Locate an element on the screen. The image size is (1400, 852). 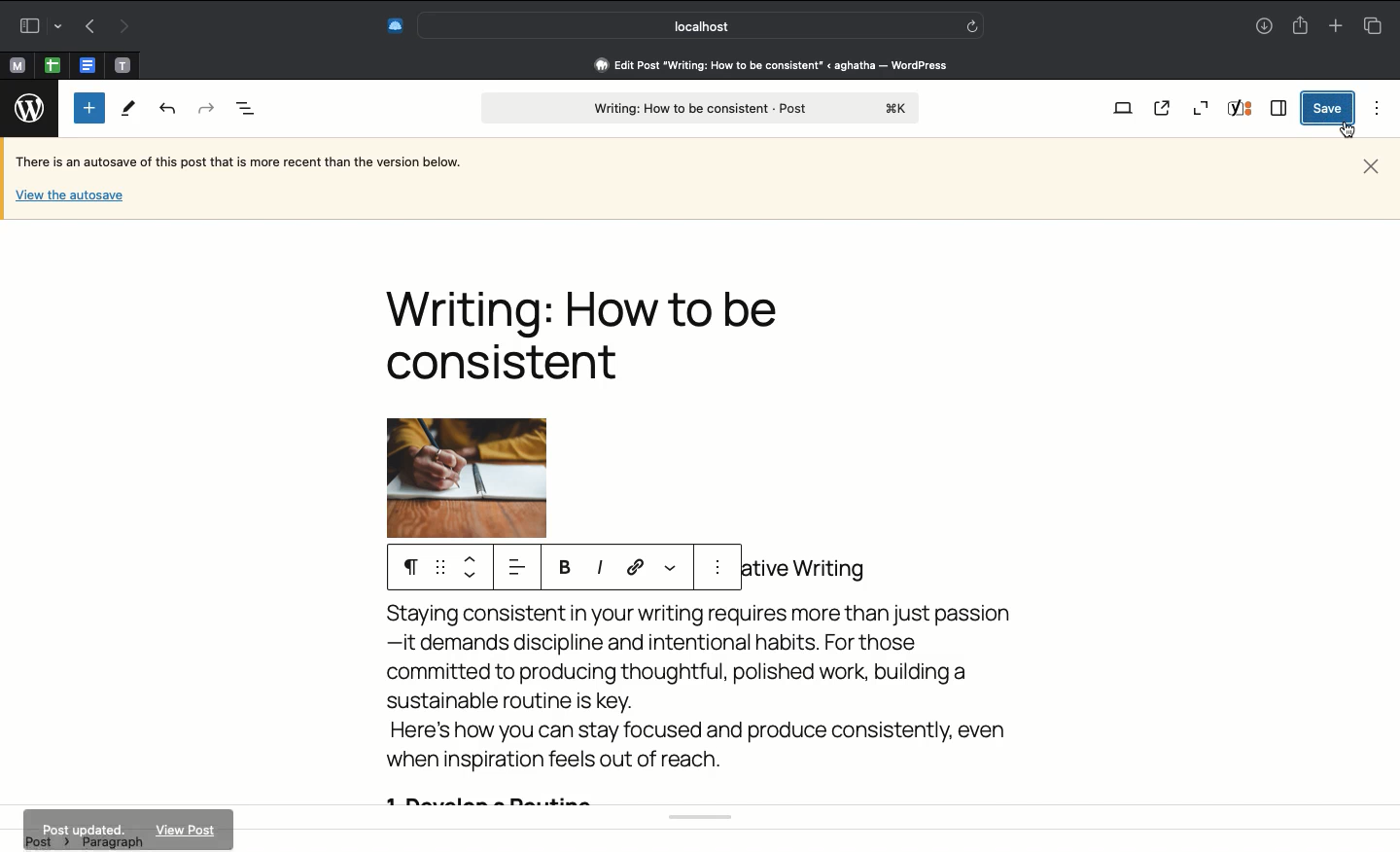
Left alignment is located at coordinates (515, 568).